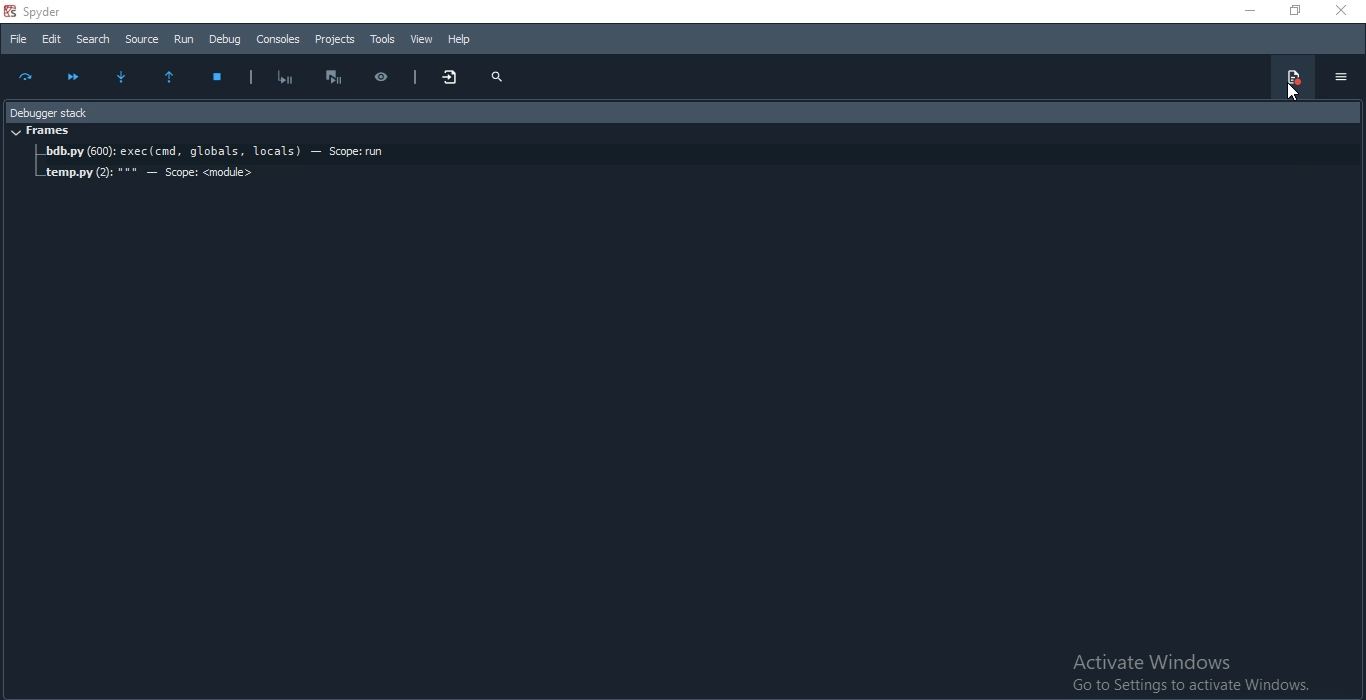 This screenshot has width=1366, height=700. Describe the element at coordinates (43, 132) in the screenshot. I see `Frames` at that location.